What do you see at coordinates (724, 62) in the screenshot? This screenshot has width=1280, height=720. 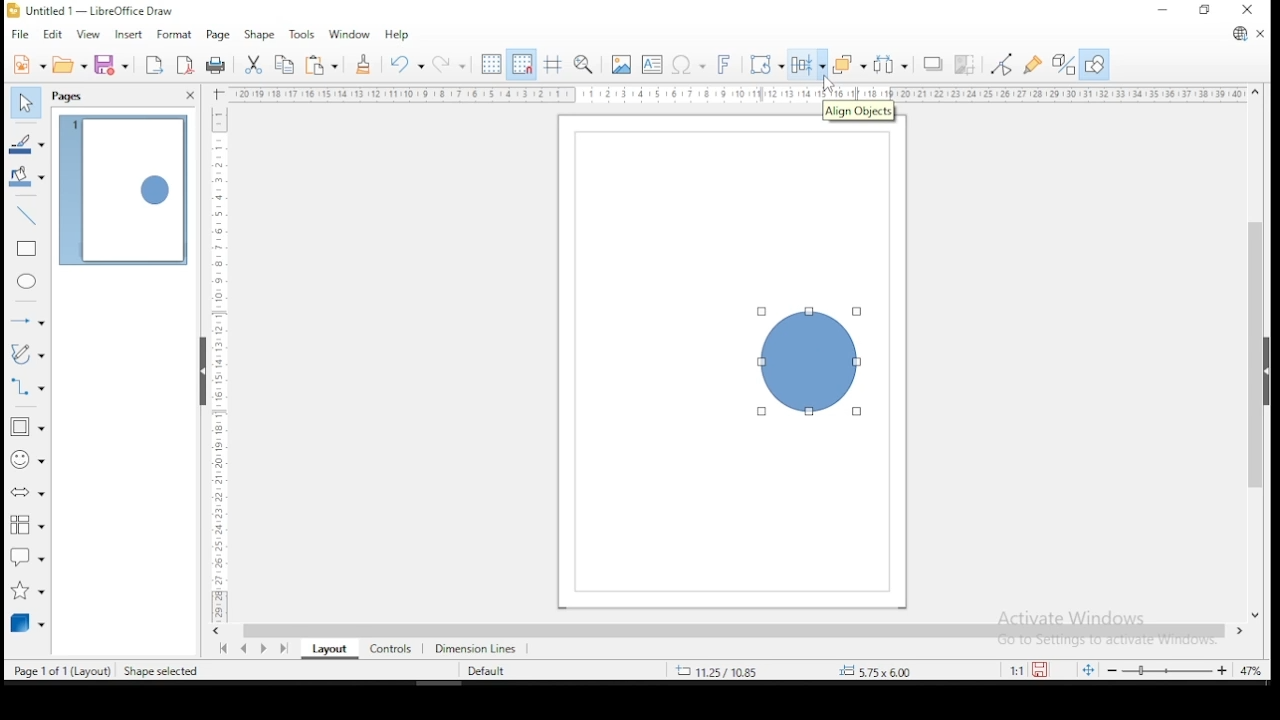 I see `insert fontwork text` at bounding box center [724, 62].